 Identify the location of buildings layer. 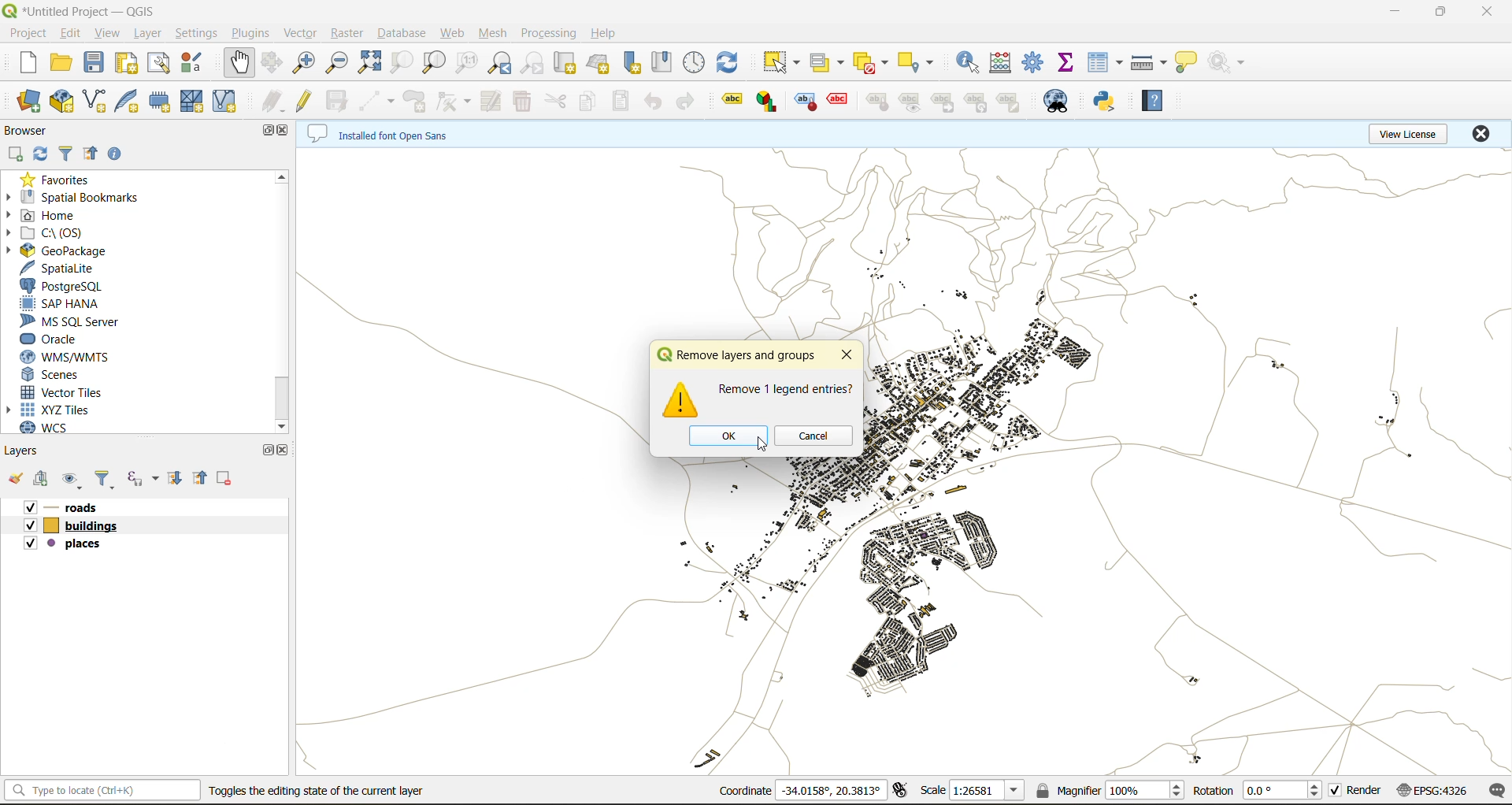
(77, 526).